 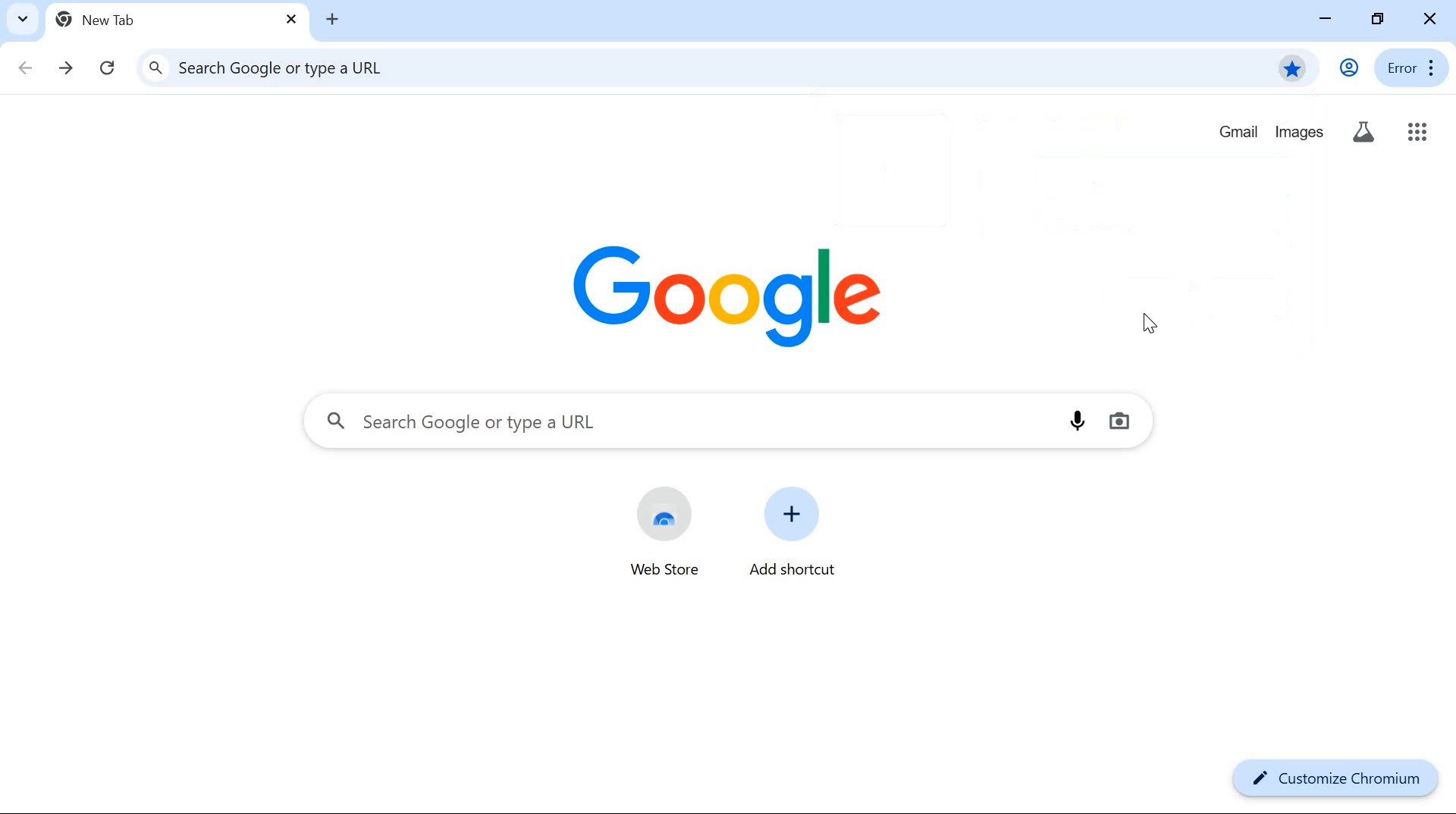 I want to click on close window, so click(x=1430, y=19).